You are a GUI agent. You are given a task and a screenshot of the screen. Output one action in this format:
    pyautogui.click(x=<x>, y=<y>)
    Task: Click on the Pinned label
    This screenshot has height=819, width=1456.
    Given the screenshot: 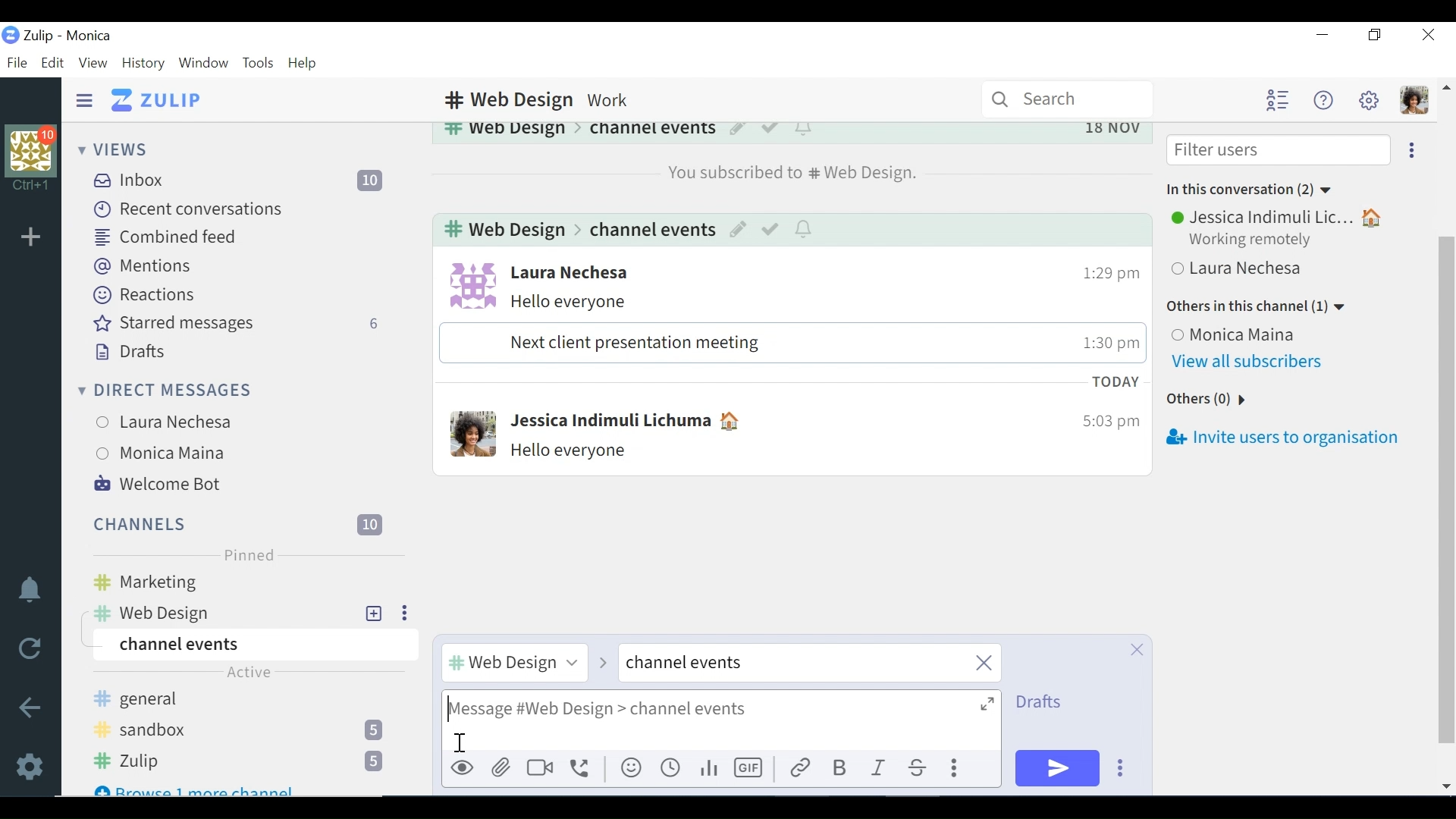 What is the action you would take?
    pyautogui.click(x=247, y=555)
    